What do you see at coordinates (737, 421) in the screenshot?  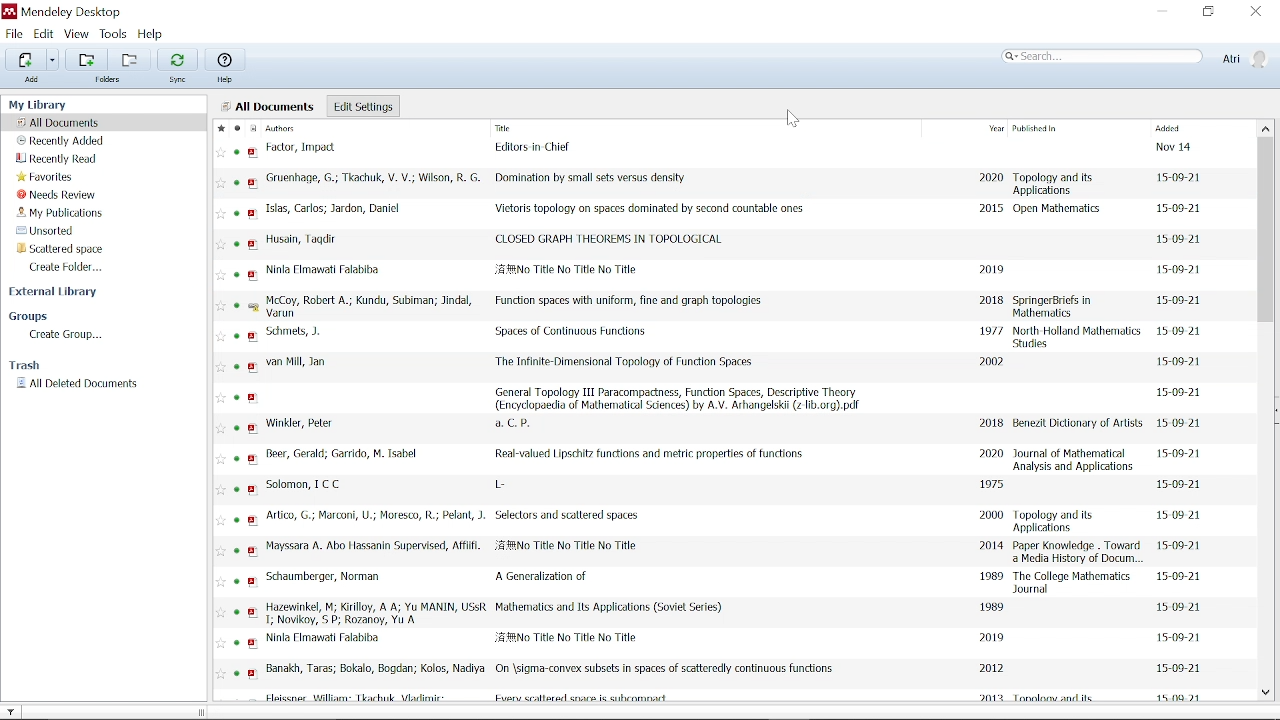 I see `All files with author, title, year, published in, added columns` at bounding box center [737, 421].